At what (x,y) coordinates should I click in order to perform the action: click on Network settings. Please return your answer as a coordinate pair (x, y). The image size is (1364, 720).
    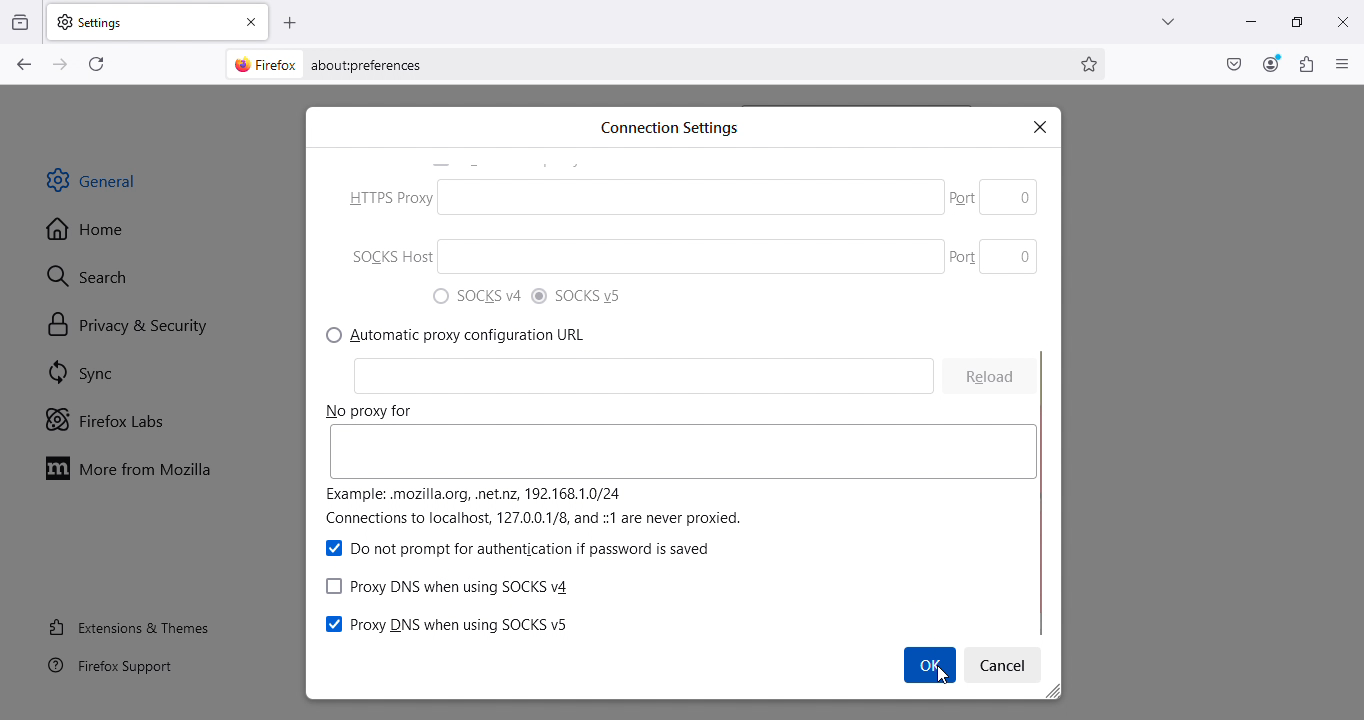
    Looking at the image, I should click on (455, 586).